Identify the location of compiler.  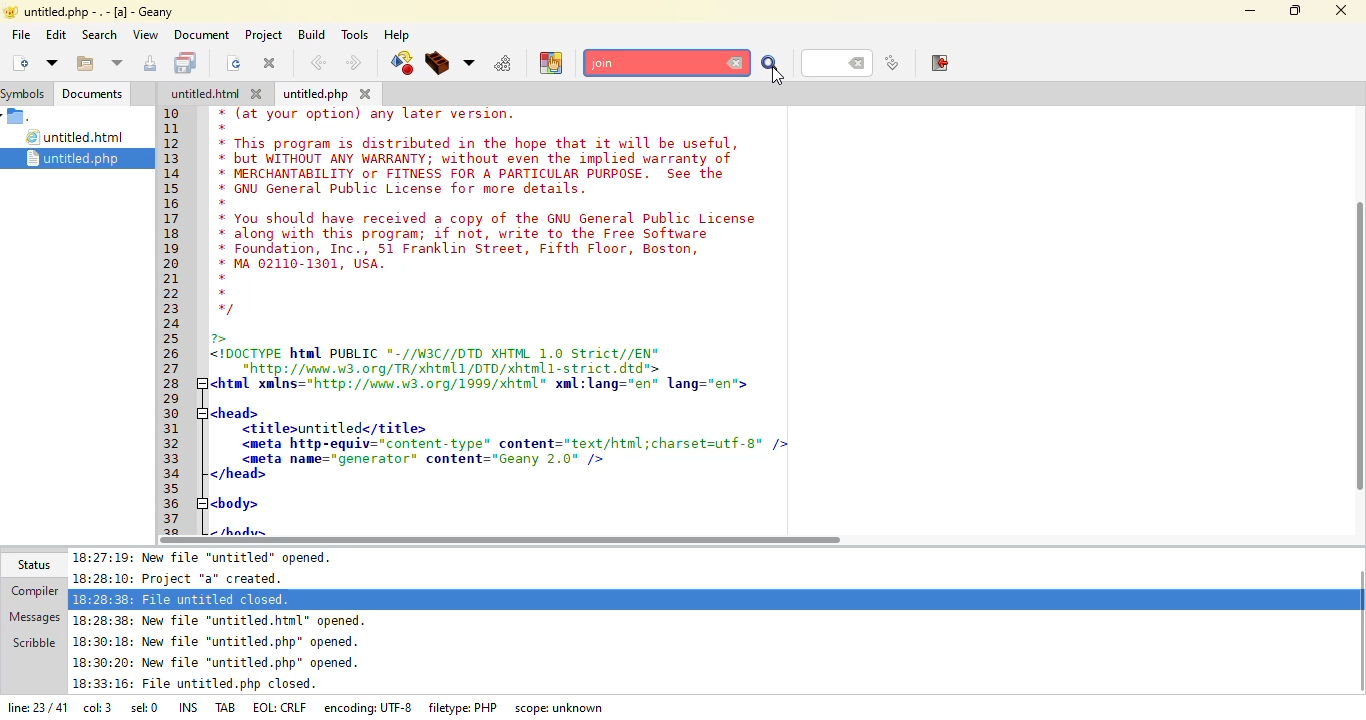
(30, 592).